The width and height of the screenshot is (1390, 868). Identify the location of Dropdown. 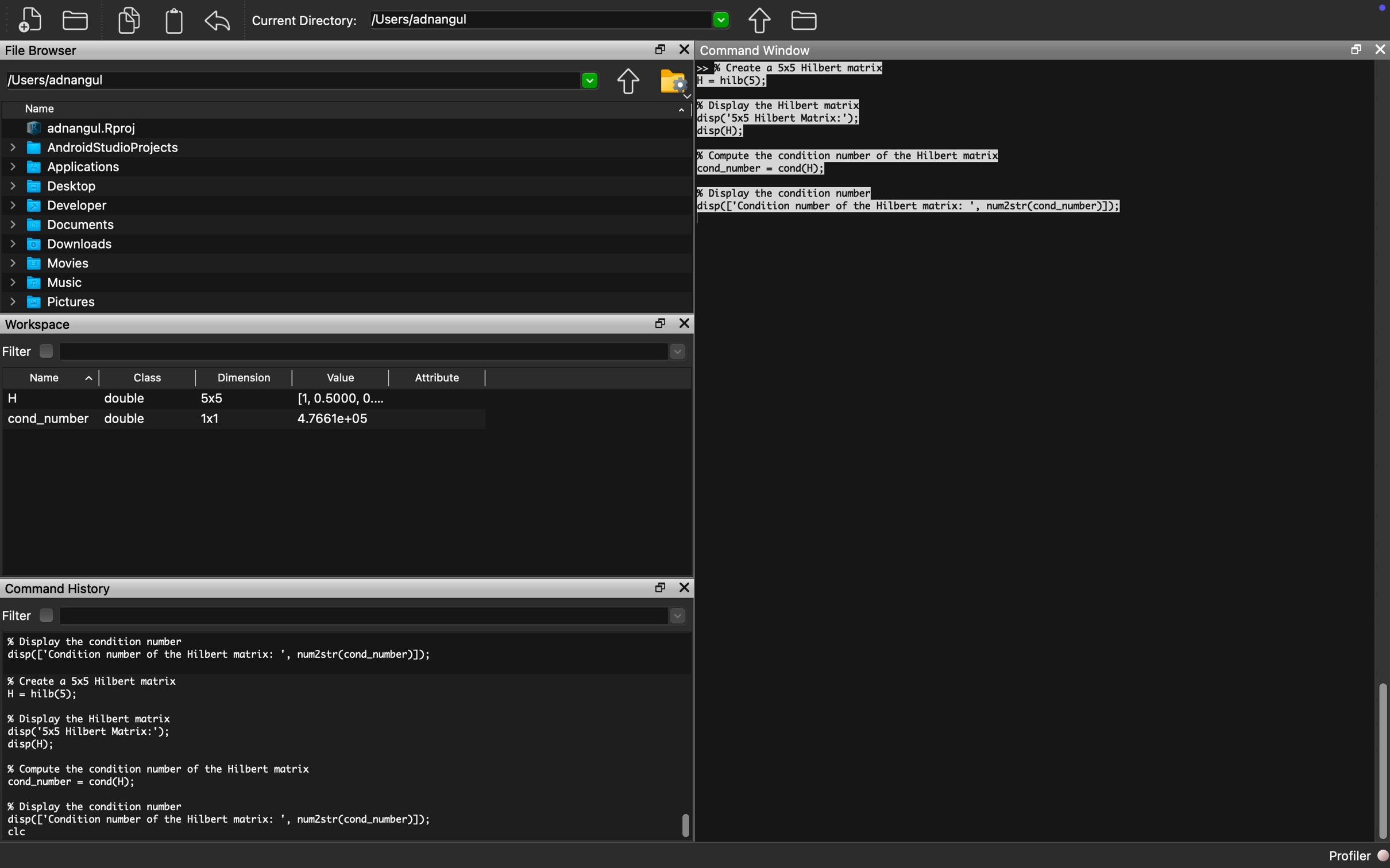
(372, 353).